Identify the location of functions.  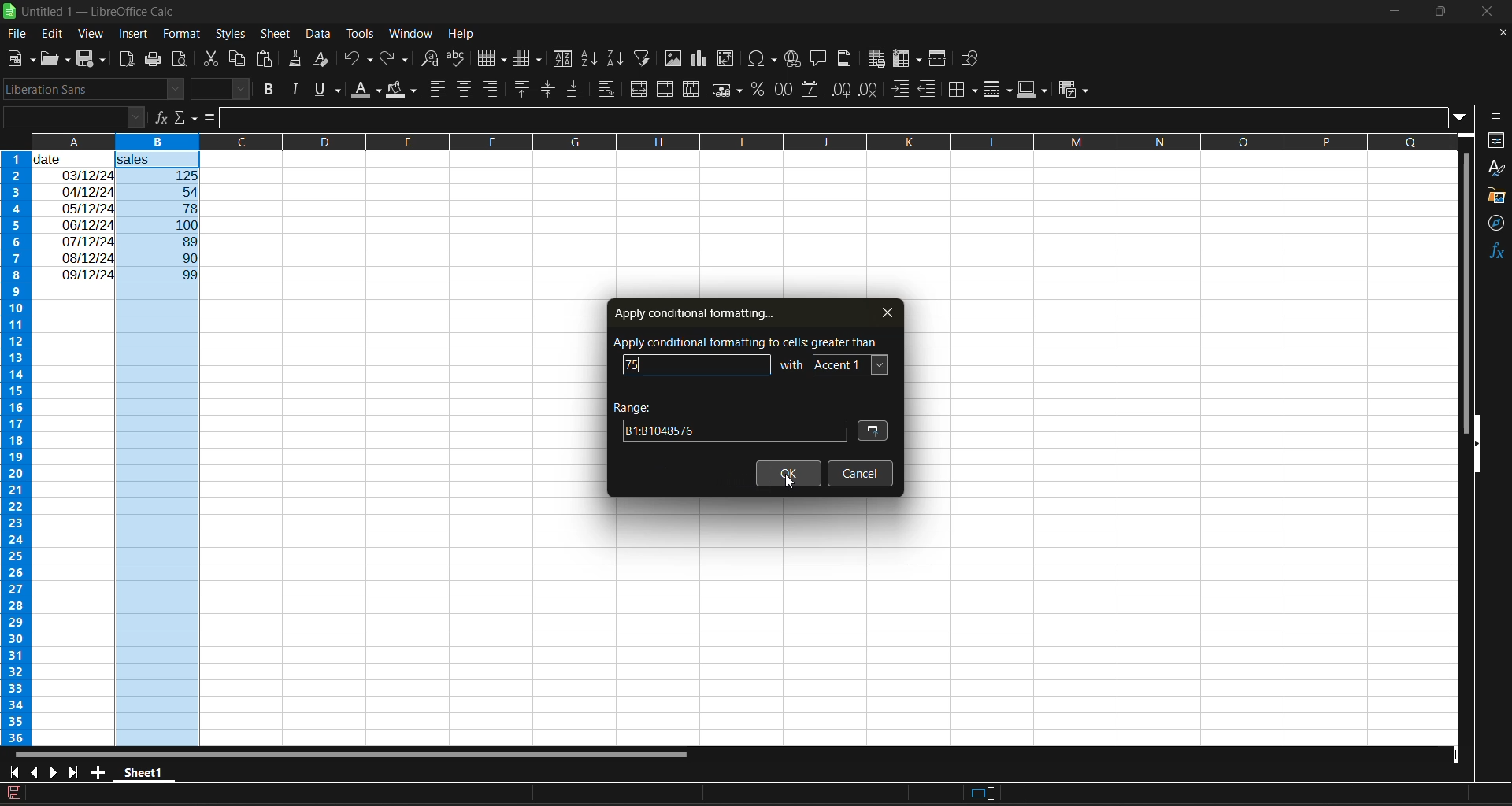
(1493, 253).